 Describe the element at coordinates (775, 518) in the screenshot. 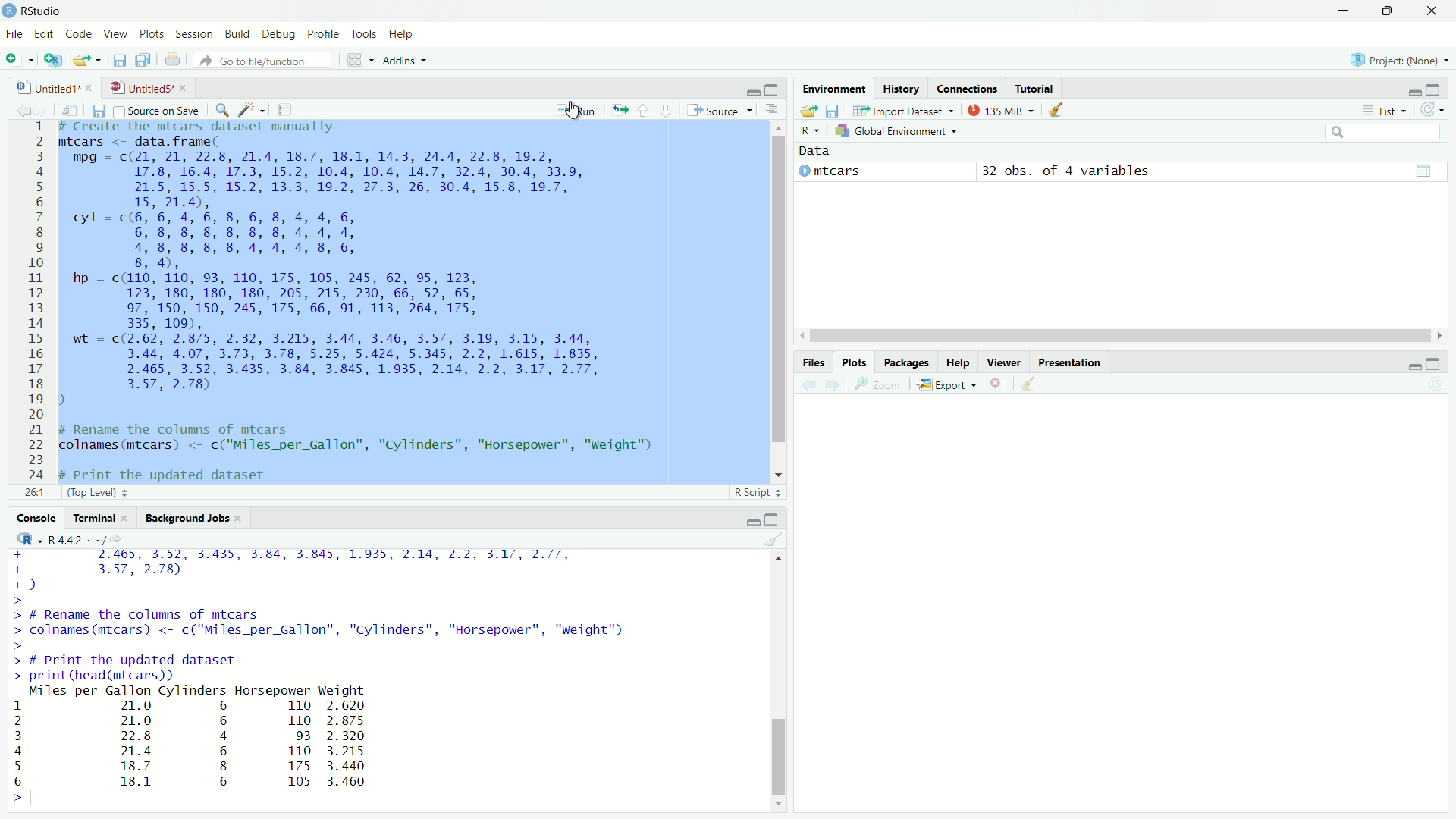

I see `maximise` at that location.